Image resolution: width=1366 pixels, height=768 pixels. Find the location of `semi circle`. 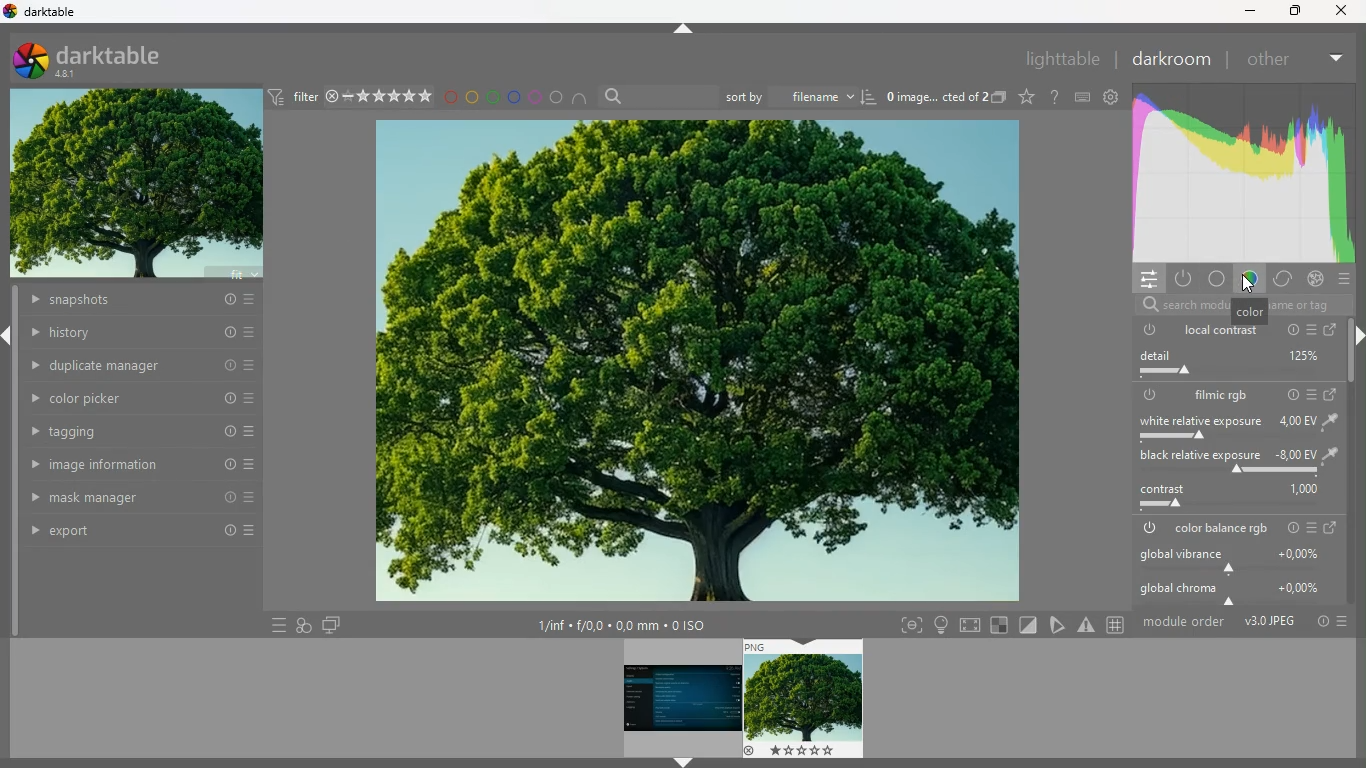

semi circle is located at coordinates (585, 101).